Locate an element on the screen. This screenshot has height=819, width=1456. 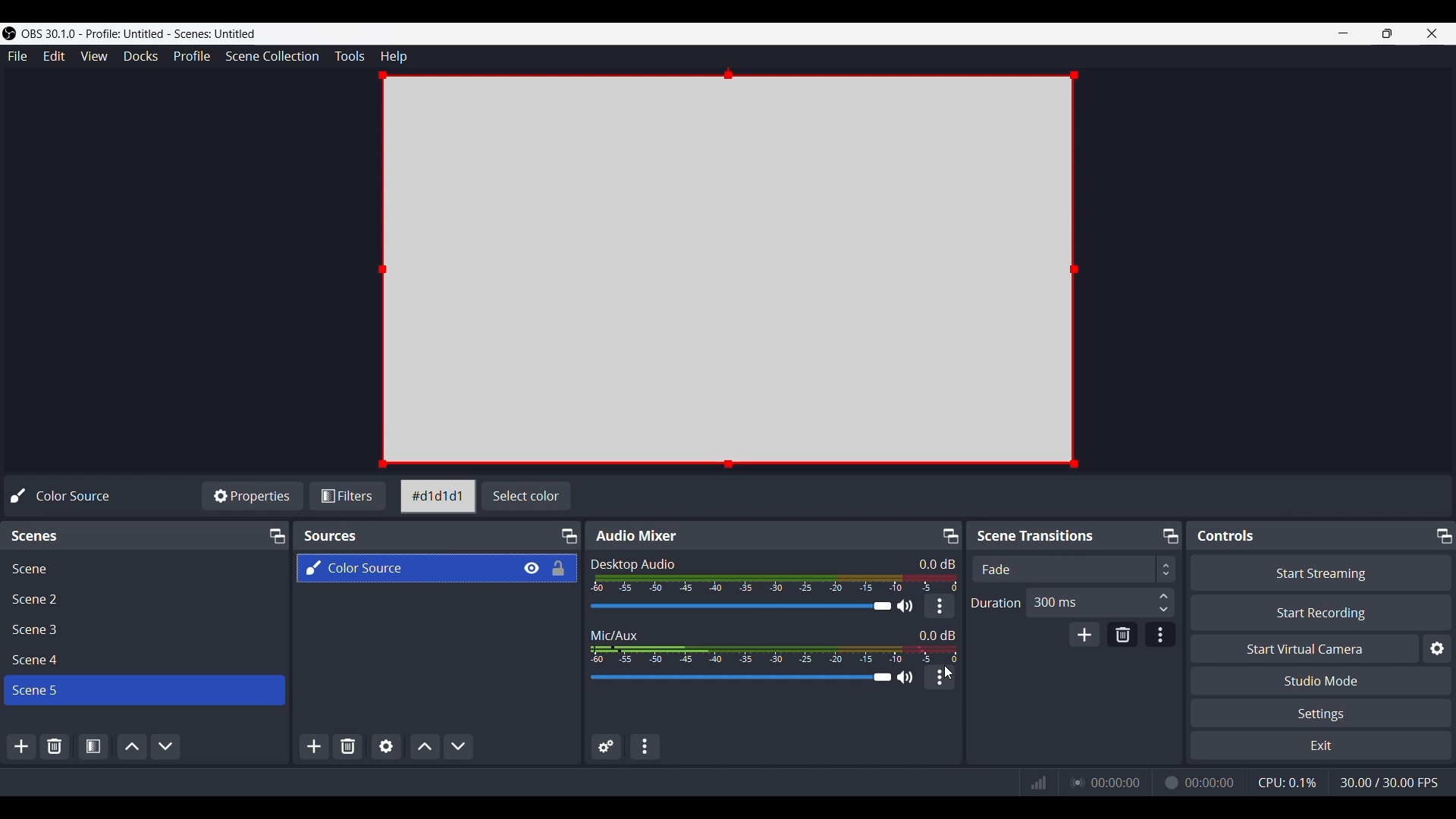
Cursor position unchanged is located at coordinates (949, 672).